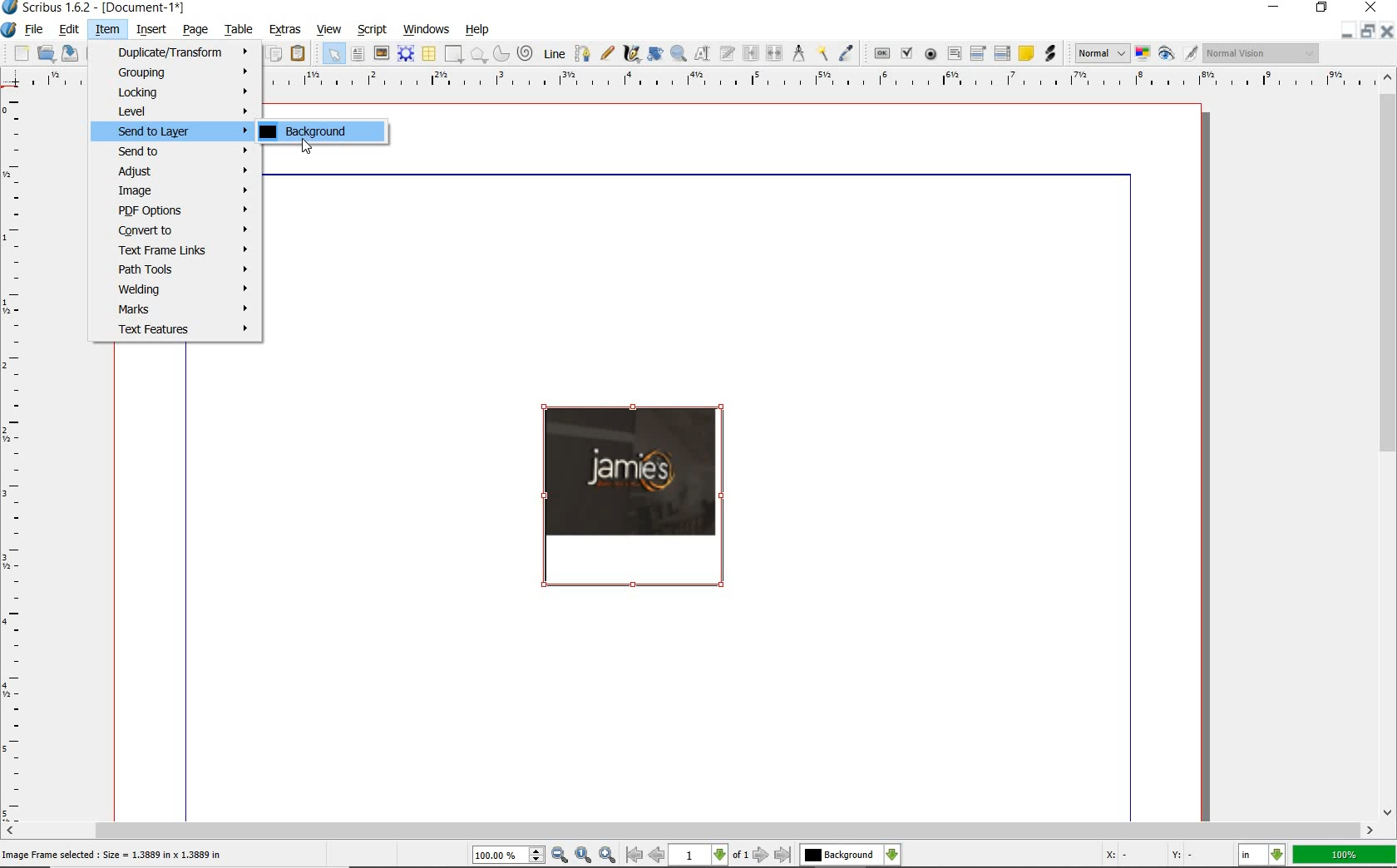 This screenshot has width=1397, height=868. What do you see at coordinates (783, 856) in the screenshot?
I see `Last Page` at bounding box center [783, 856].